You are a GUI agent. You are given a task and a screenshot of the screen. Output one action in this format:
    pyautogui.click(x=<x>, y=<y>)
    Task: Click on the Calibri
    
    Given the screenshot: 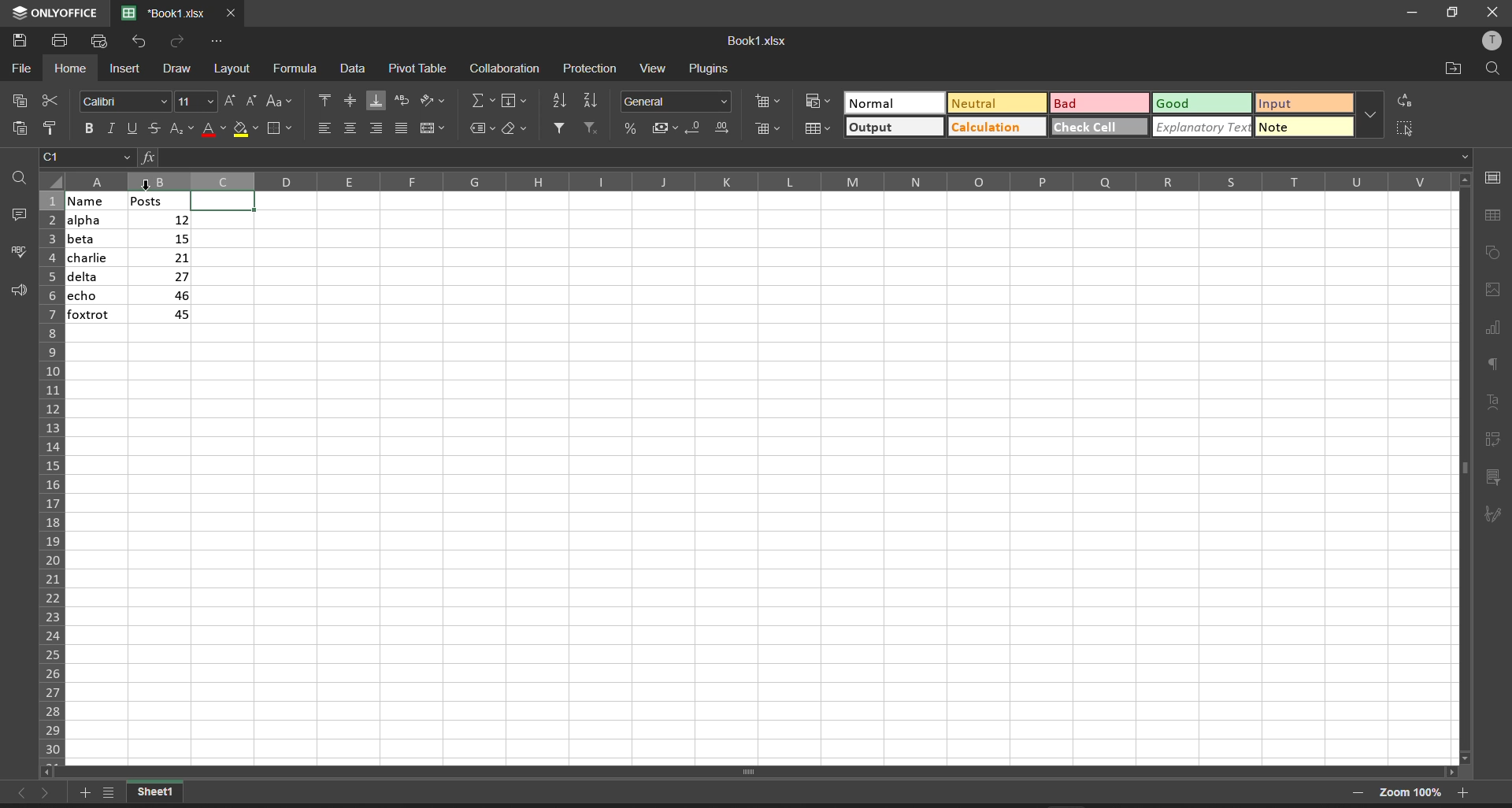 What is the action you would take?
    pyautogui.click(x=123, y=101)
    